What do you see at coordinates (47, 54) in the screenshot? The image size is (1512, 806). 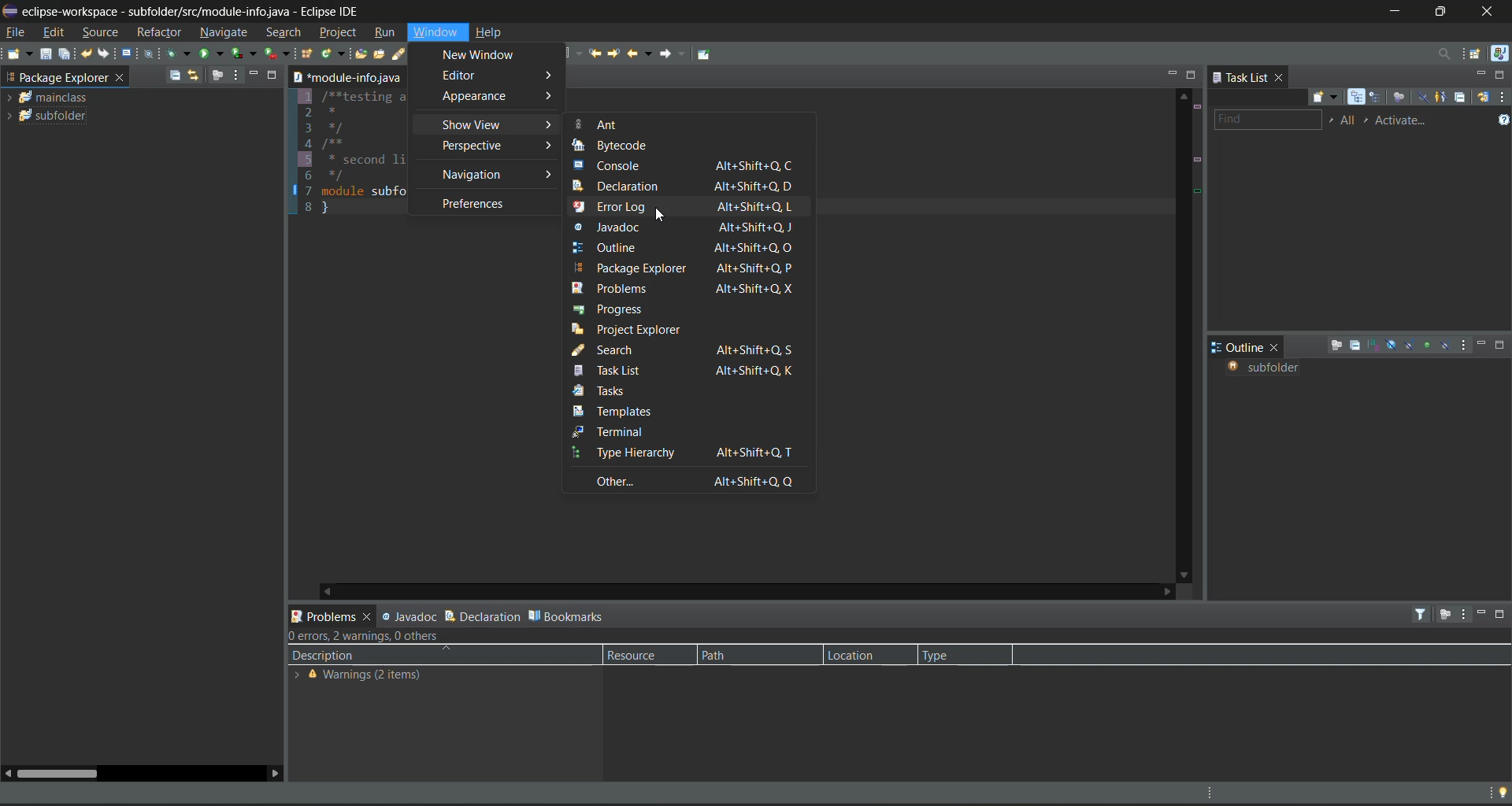 I see `save` at bounding box center [47, 54].